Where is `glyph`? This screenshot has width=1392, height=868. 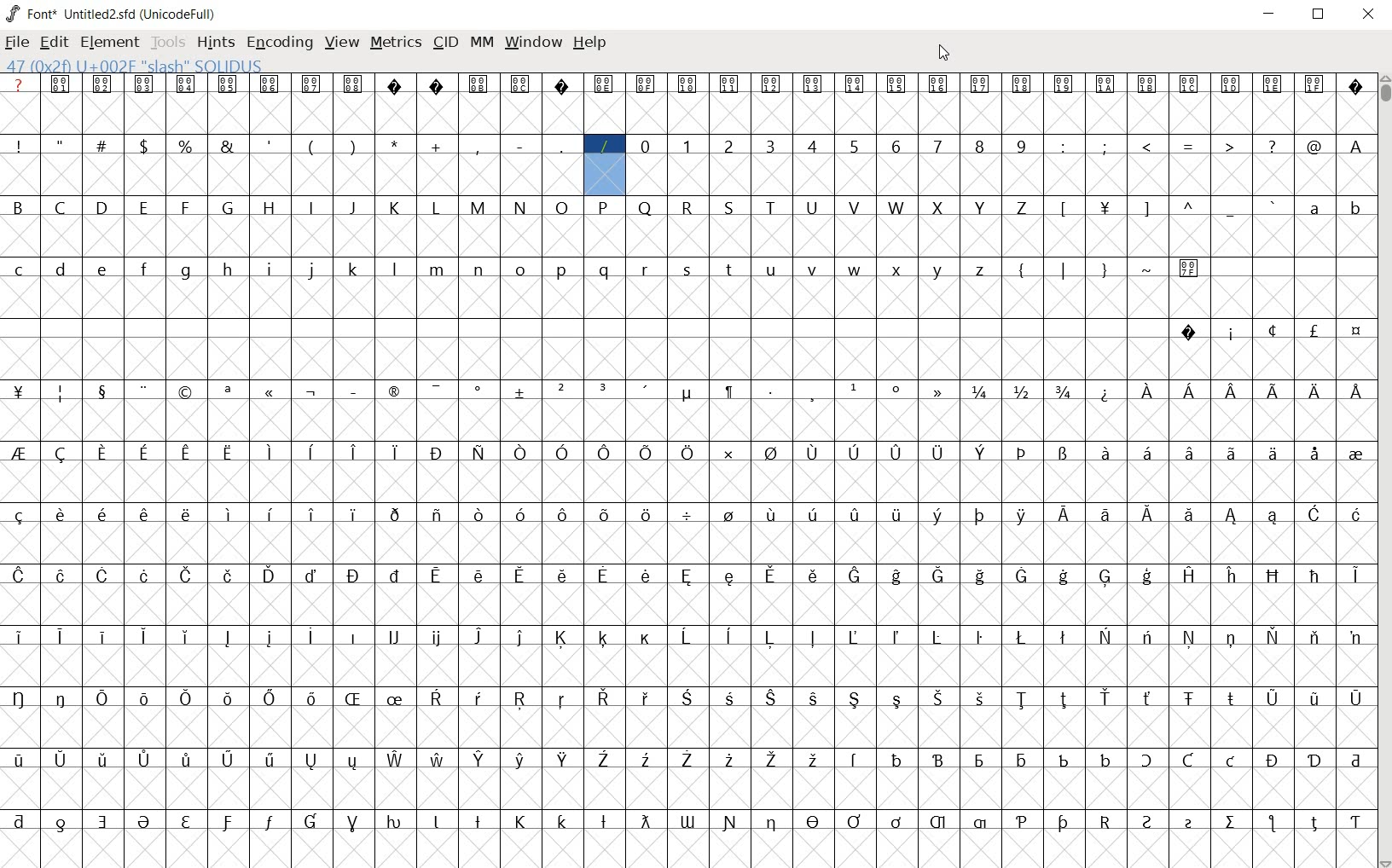
glyph is located at coordinates (270, 145).